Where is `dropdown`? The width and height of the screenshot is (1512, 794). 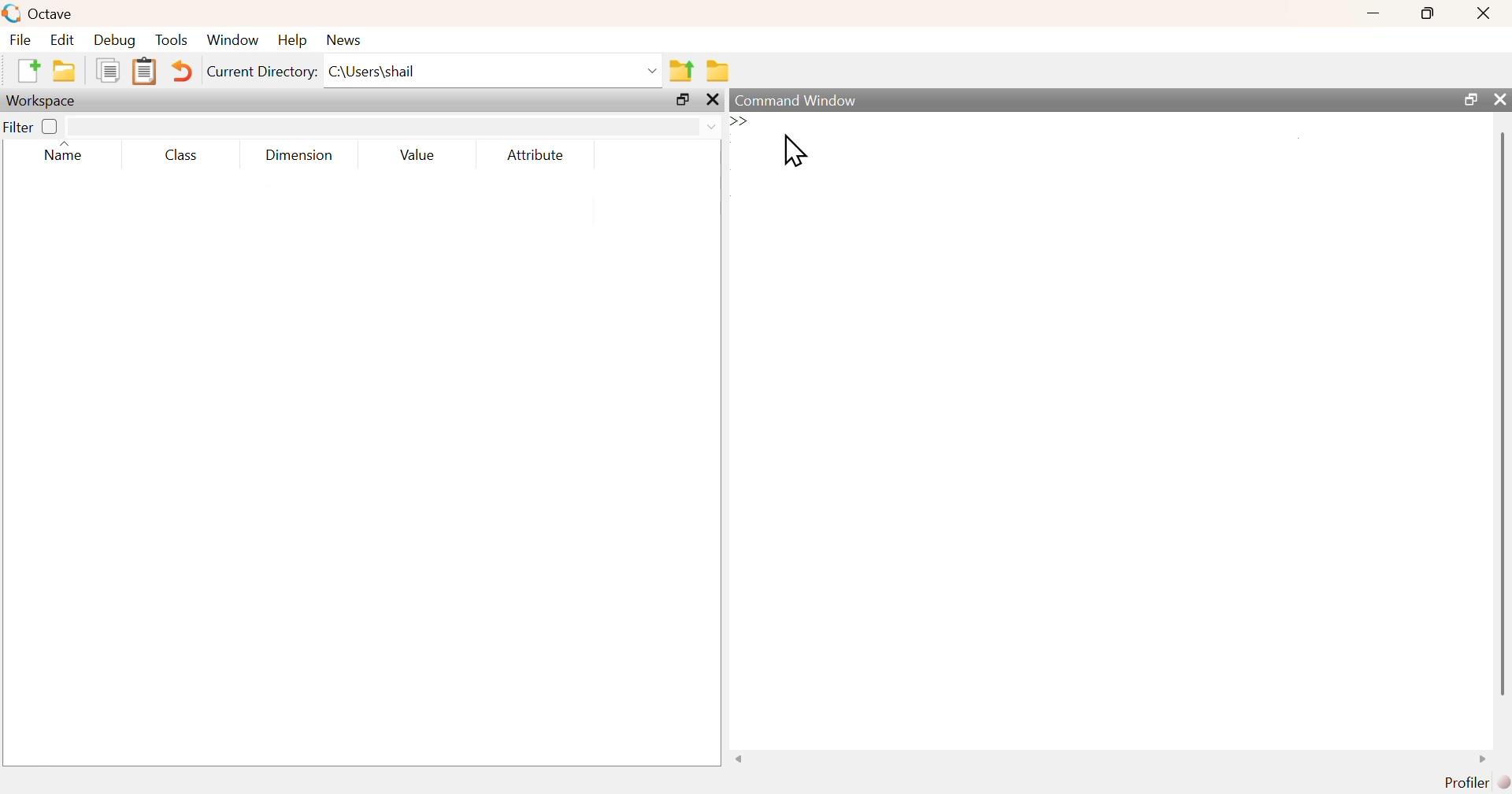 dropdown is located at coordinates (710, 127).